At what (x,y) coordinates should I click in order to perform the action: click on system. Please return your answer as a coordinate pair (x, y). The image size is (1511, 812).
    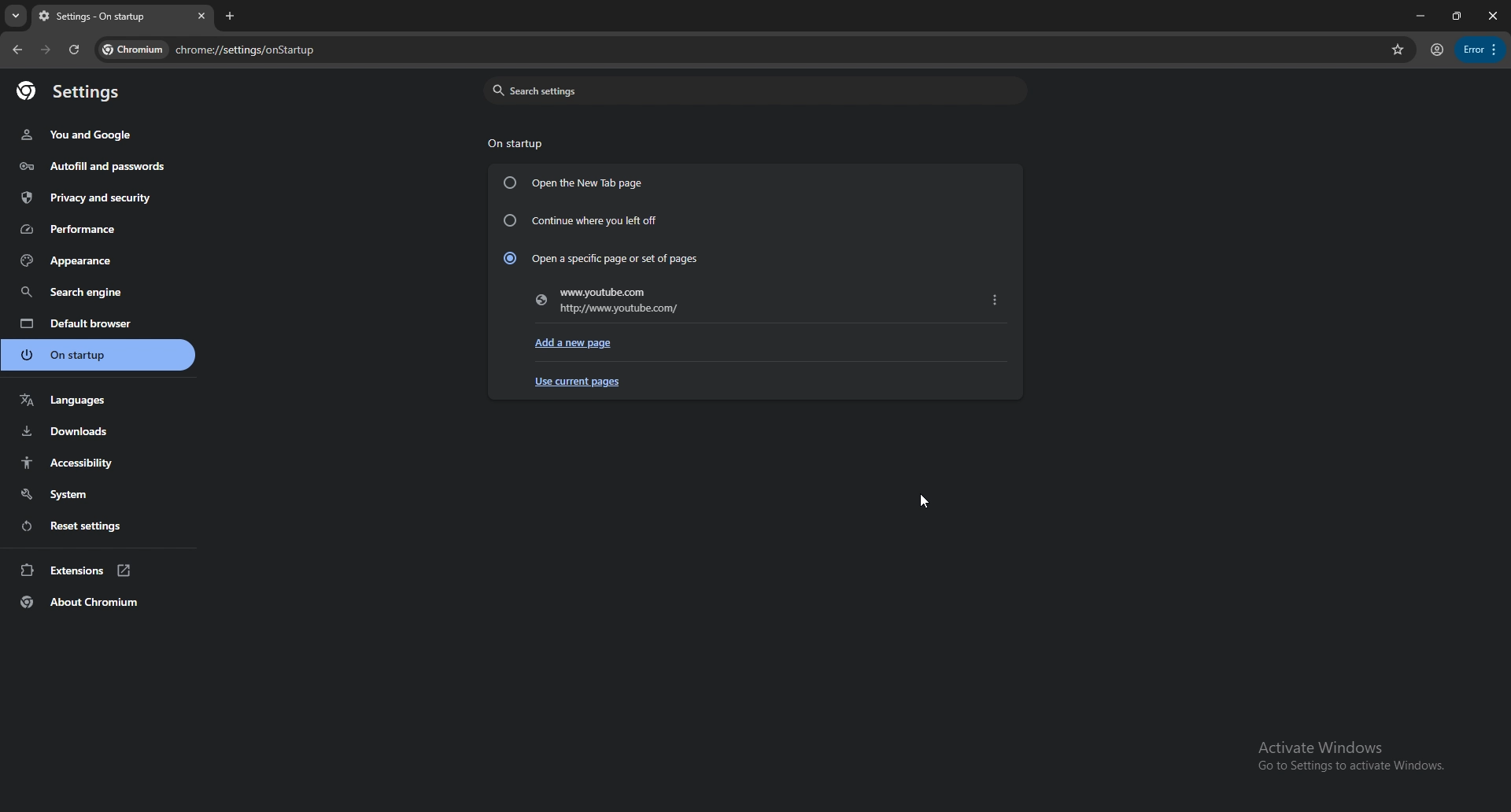
    Looking at the image, I should click on (98, 494).